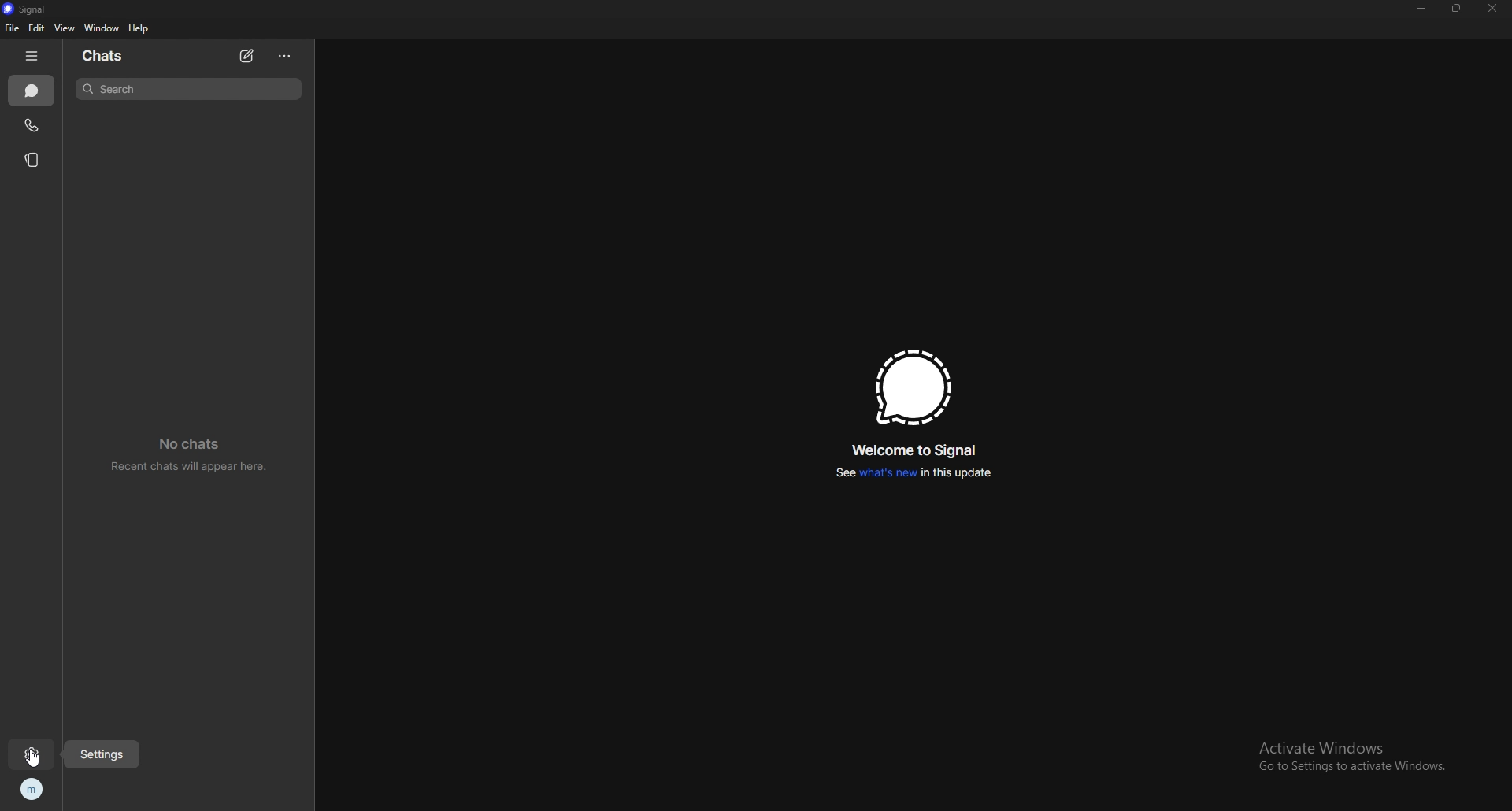 Image resolution: width=1512 pixels, height=811 pixels. What do you see at coordinates (11, 28) in the screenshot?
I see `file` at bounding box center [11, 28].